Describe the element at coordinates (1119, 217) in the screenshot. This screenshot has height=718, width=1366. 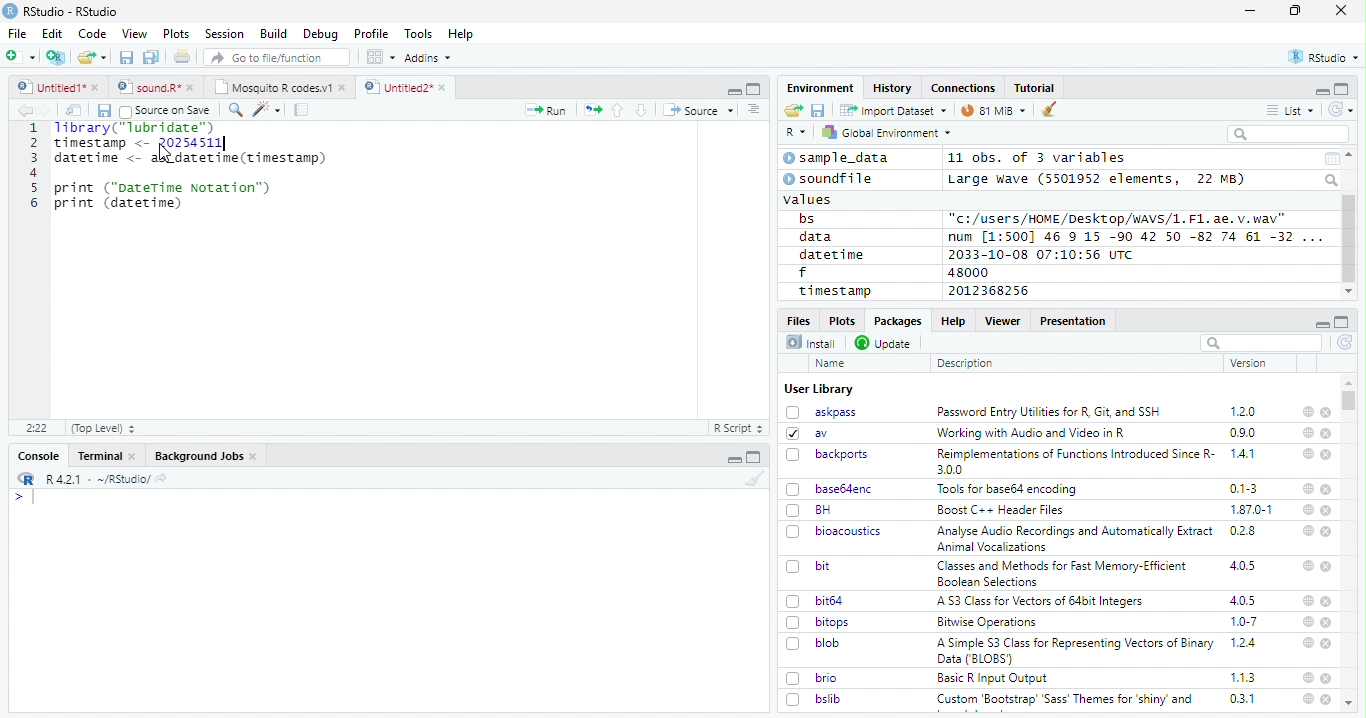
I see `"c:/users/HOME /Desktop/wWAVS/1.F1, ae. v.wav"` at that location.